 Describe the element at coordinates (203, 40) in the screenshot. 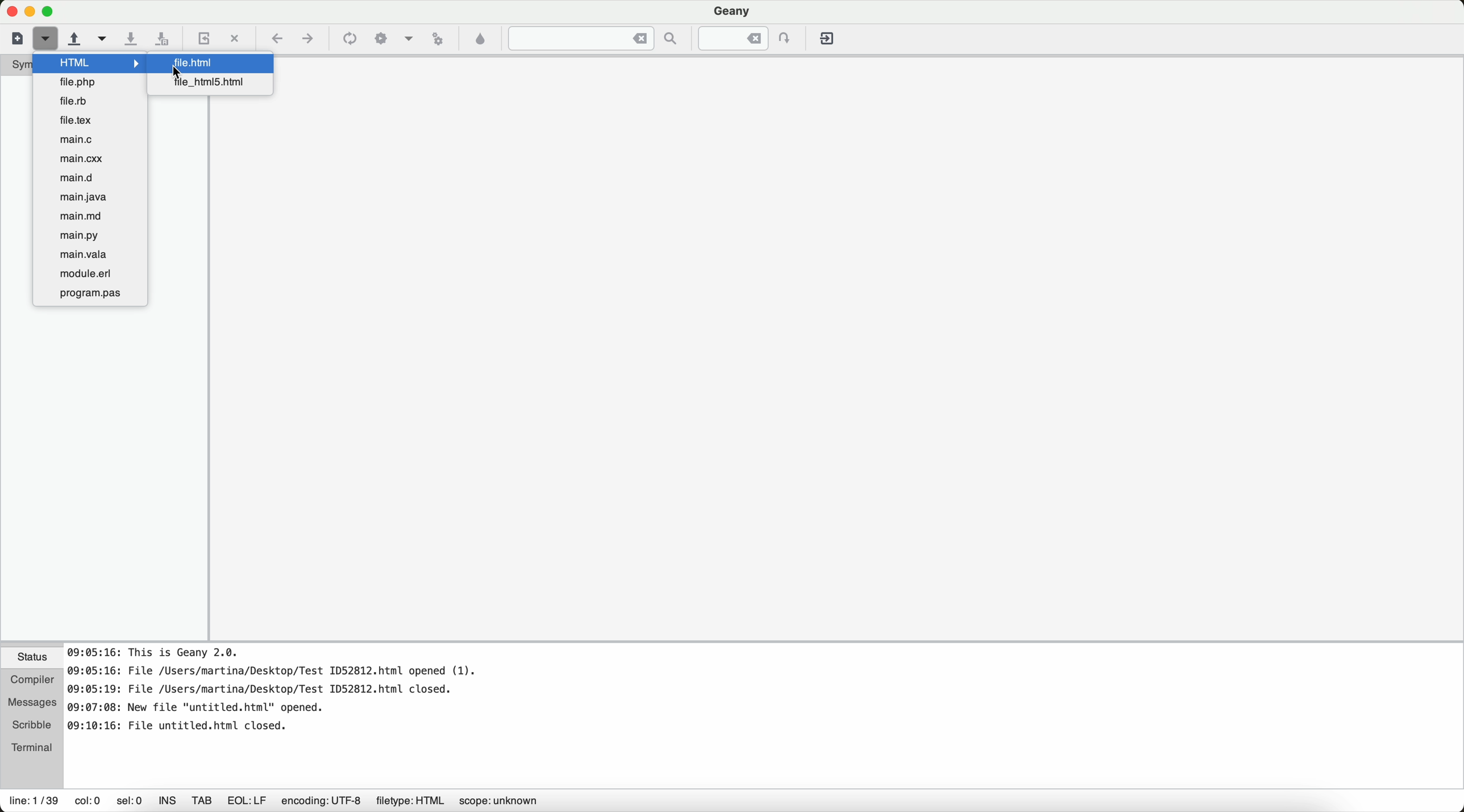

I see `reload the current file from a disk` at that location.